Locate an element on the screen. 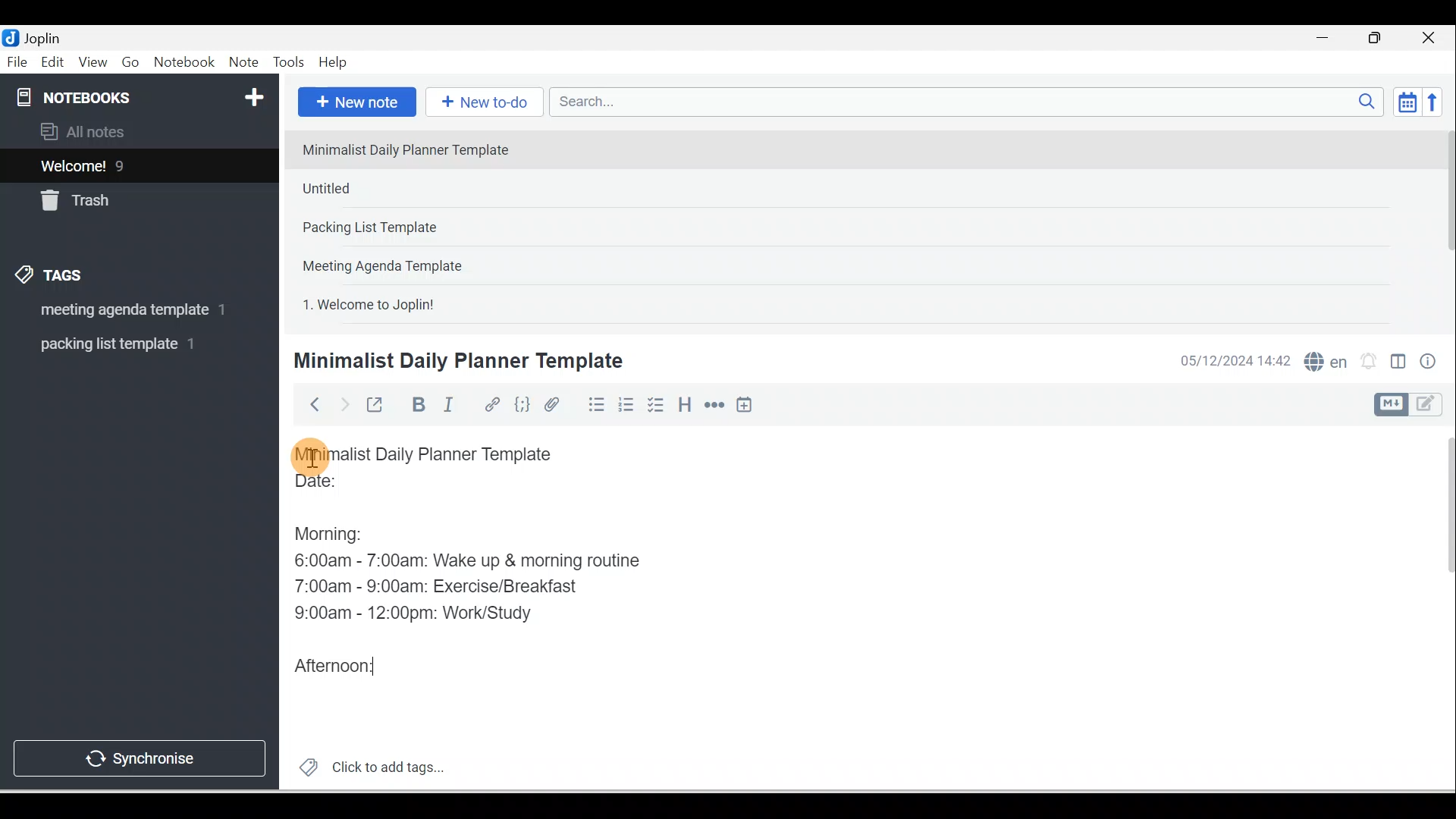 The height and width of the screenshot is (819, 1456). 9:00am - 12:00pm: Work/Study is located at coordinates (419, 613).